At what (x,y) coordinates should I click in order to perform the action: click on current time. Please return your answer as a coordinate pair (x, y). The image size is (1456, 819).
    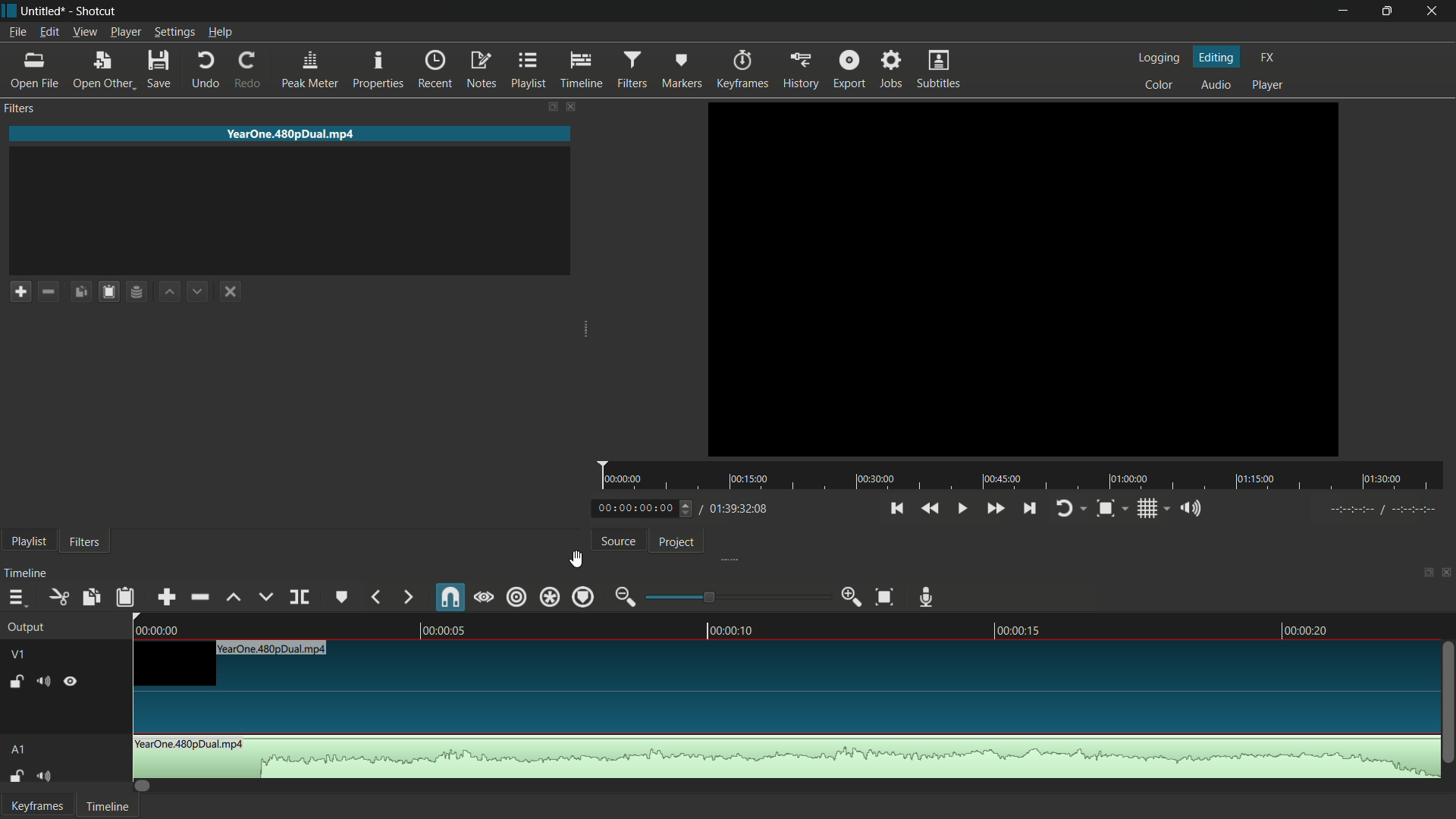
    Looking at the image, I should click on (634, 510).